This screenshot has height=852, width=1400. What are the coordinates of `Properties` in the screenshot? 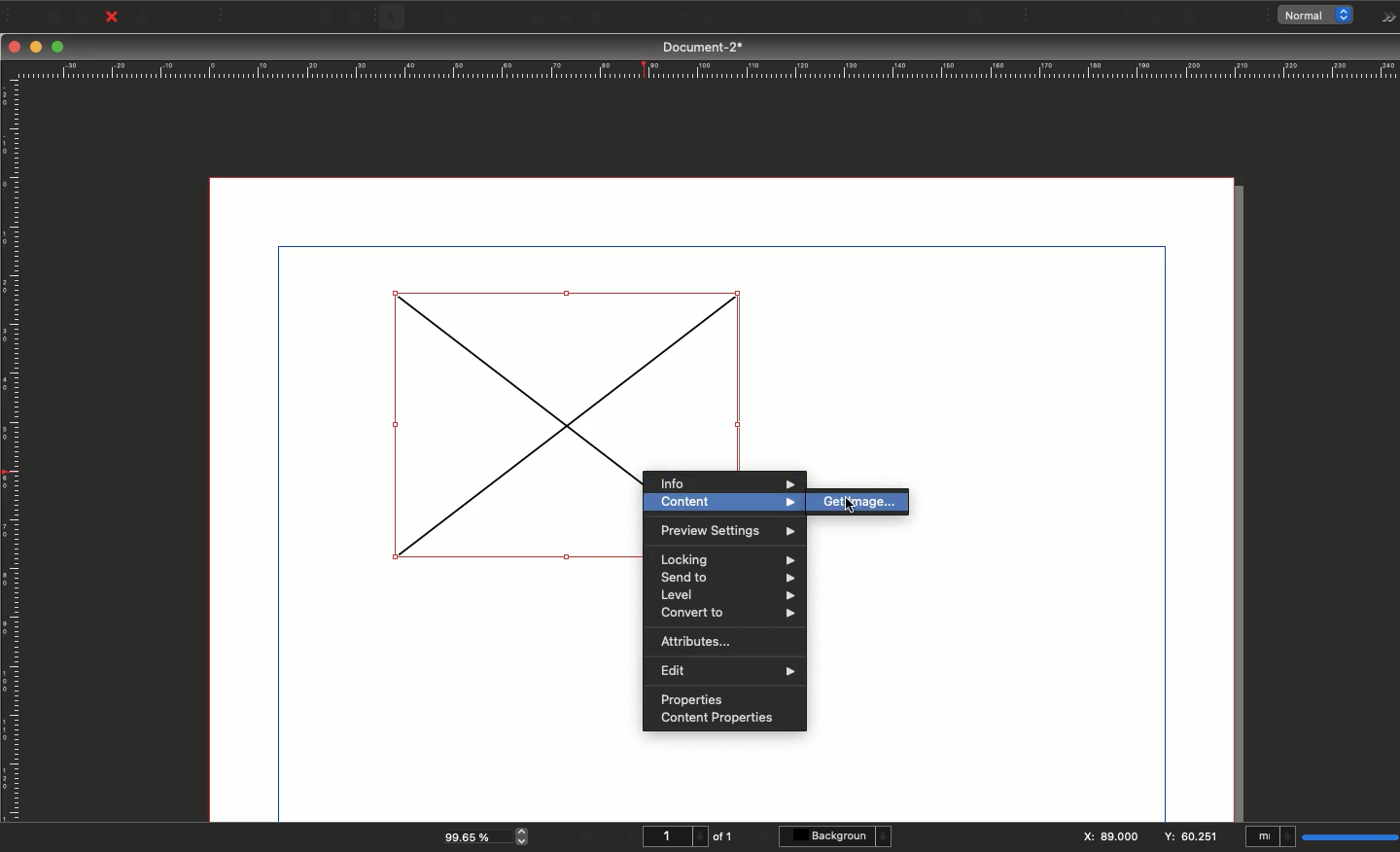 It's located at (689, 696).